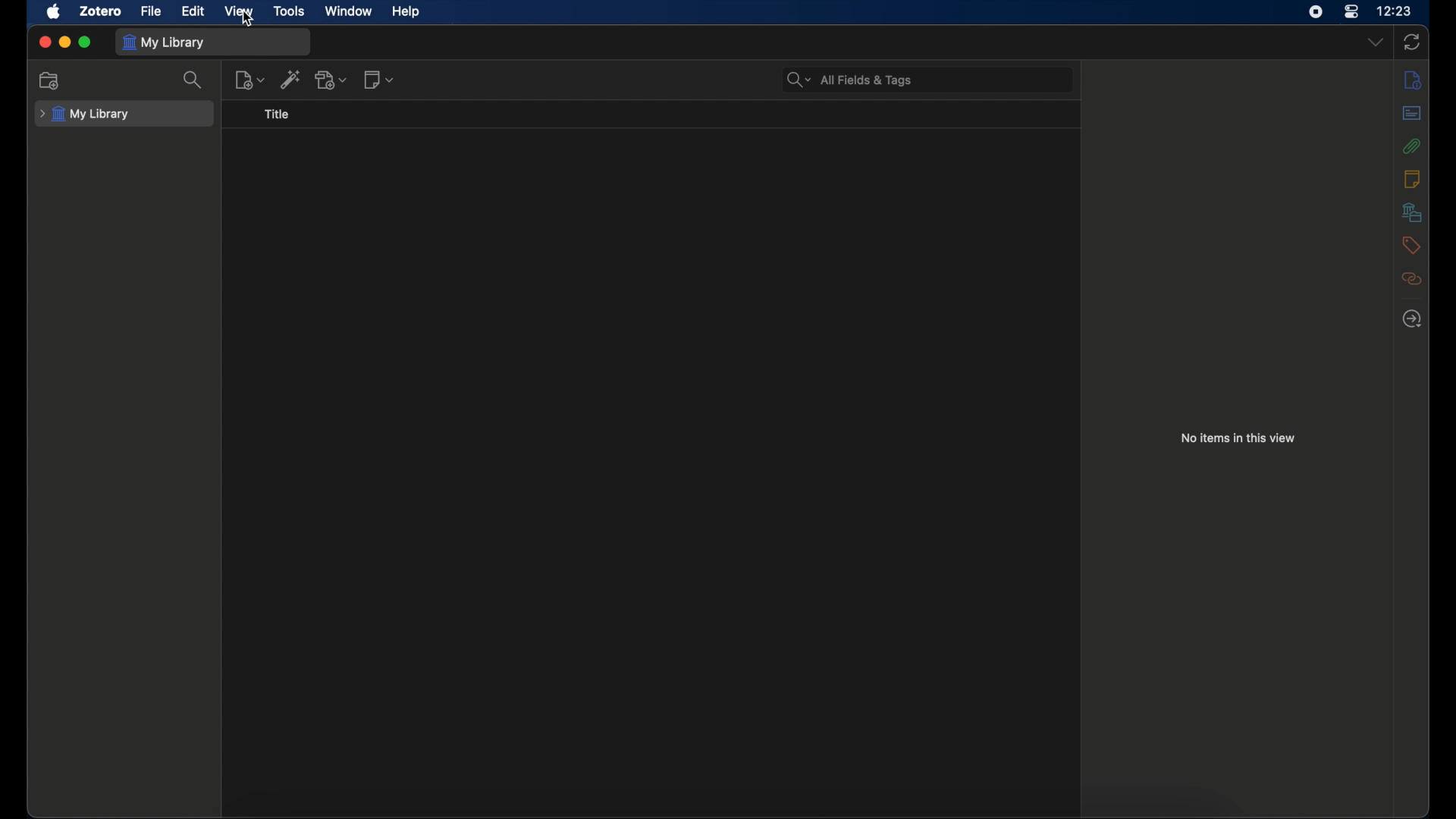 This screenshot has width=1456, height=819. What do you see at coordinates (1241, 438) in the screenshot?
I see `no items in this view` at bounding box center [1241, 438].